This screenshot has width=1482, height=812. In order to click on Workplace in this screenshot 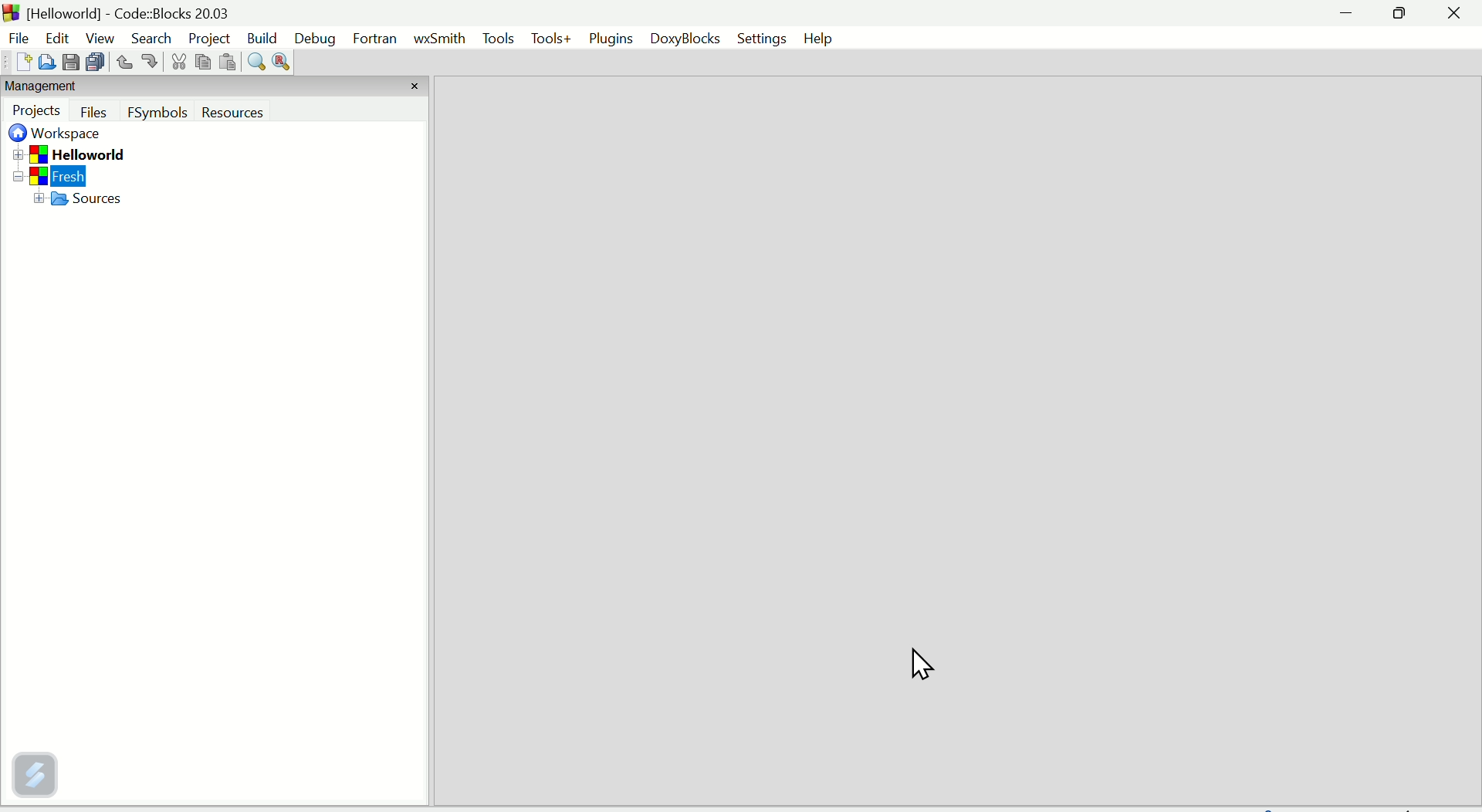, I will do `click(60, 135)`.